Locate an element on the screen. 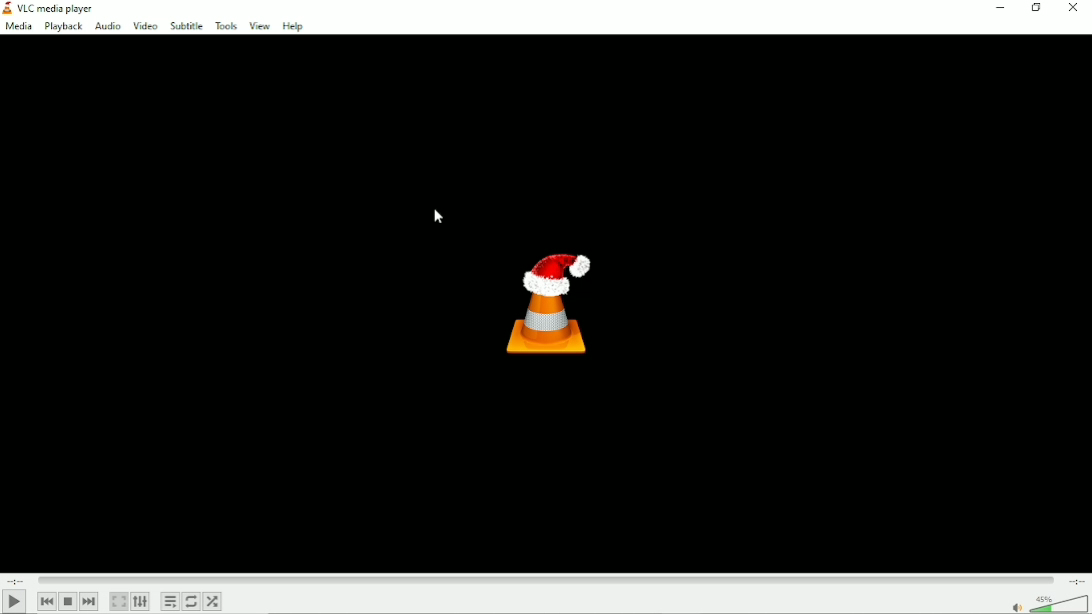 This screenshot has height=614, width=1092. Subtitle is located at coordinates (187, 25).